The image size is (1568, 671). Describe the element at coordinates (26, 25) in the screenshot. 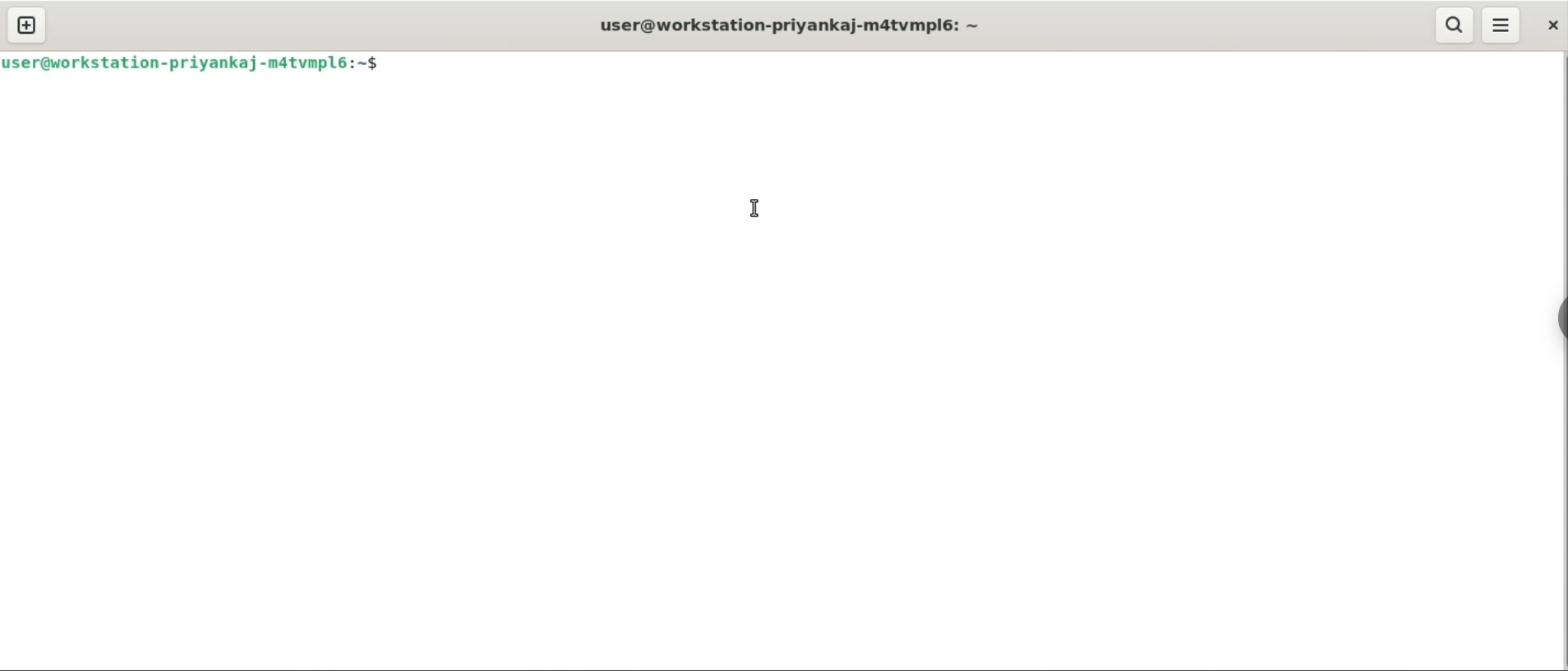

I see `new tab` at that location.